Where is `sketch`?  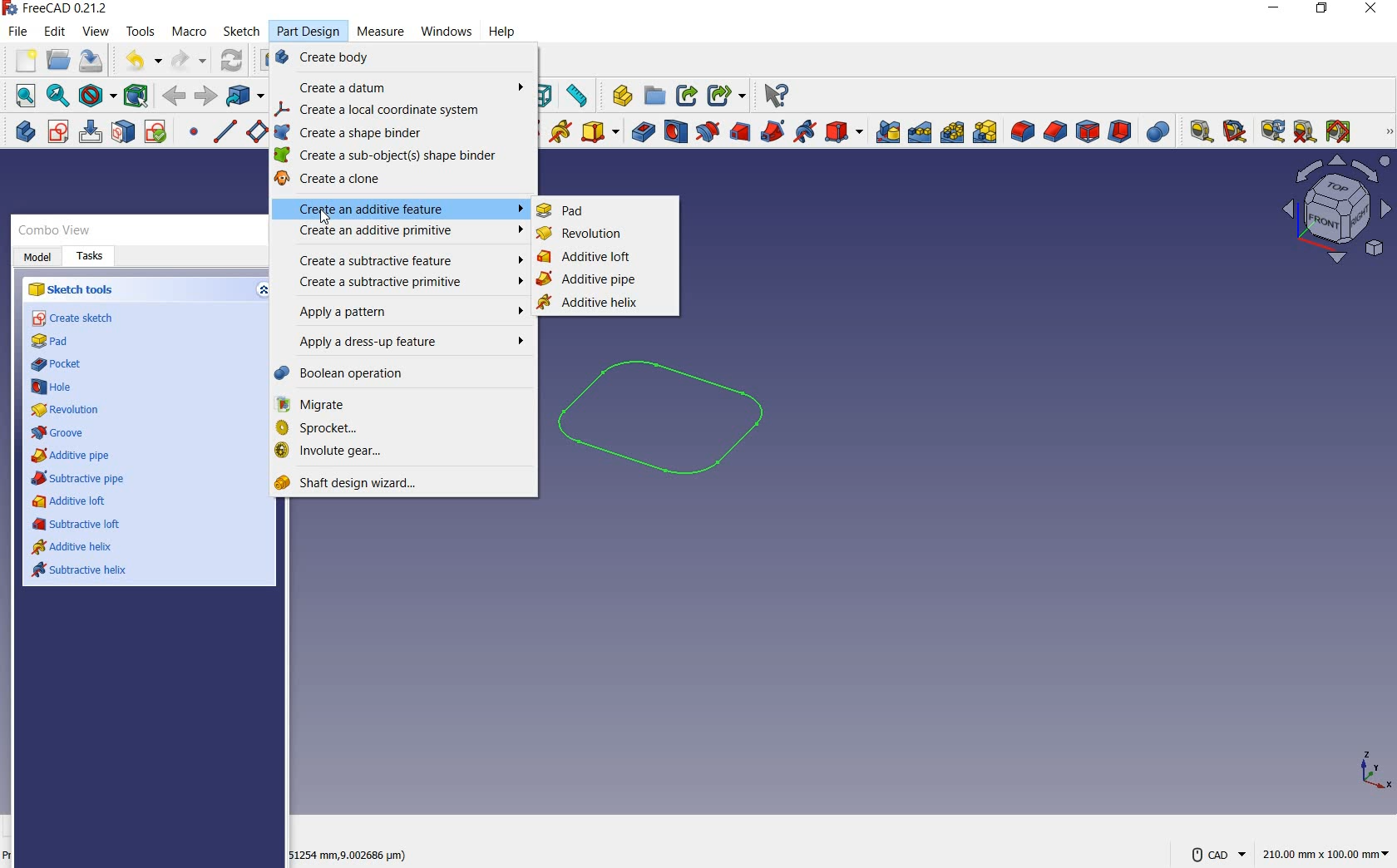 sketch is located at coordinates (241, 32).